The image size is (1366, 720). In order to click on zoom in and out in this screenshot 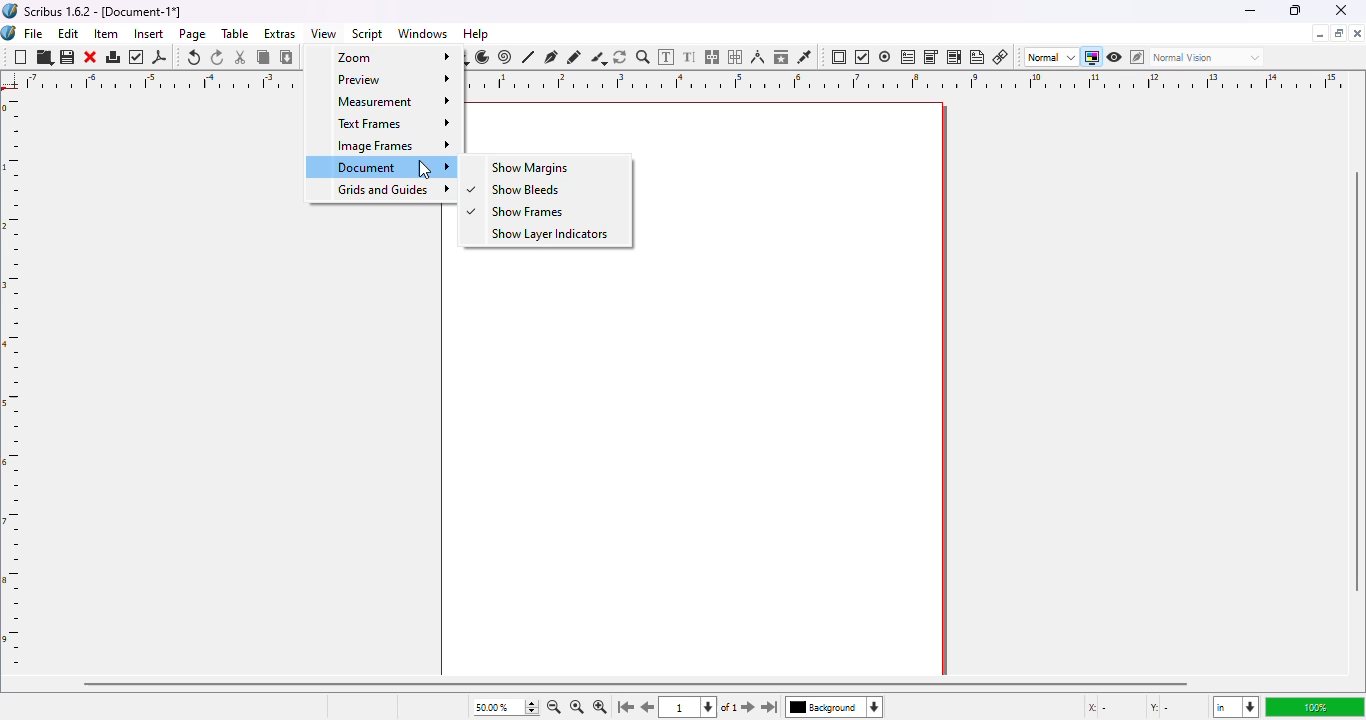, I will do `click(530, 707)`.